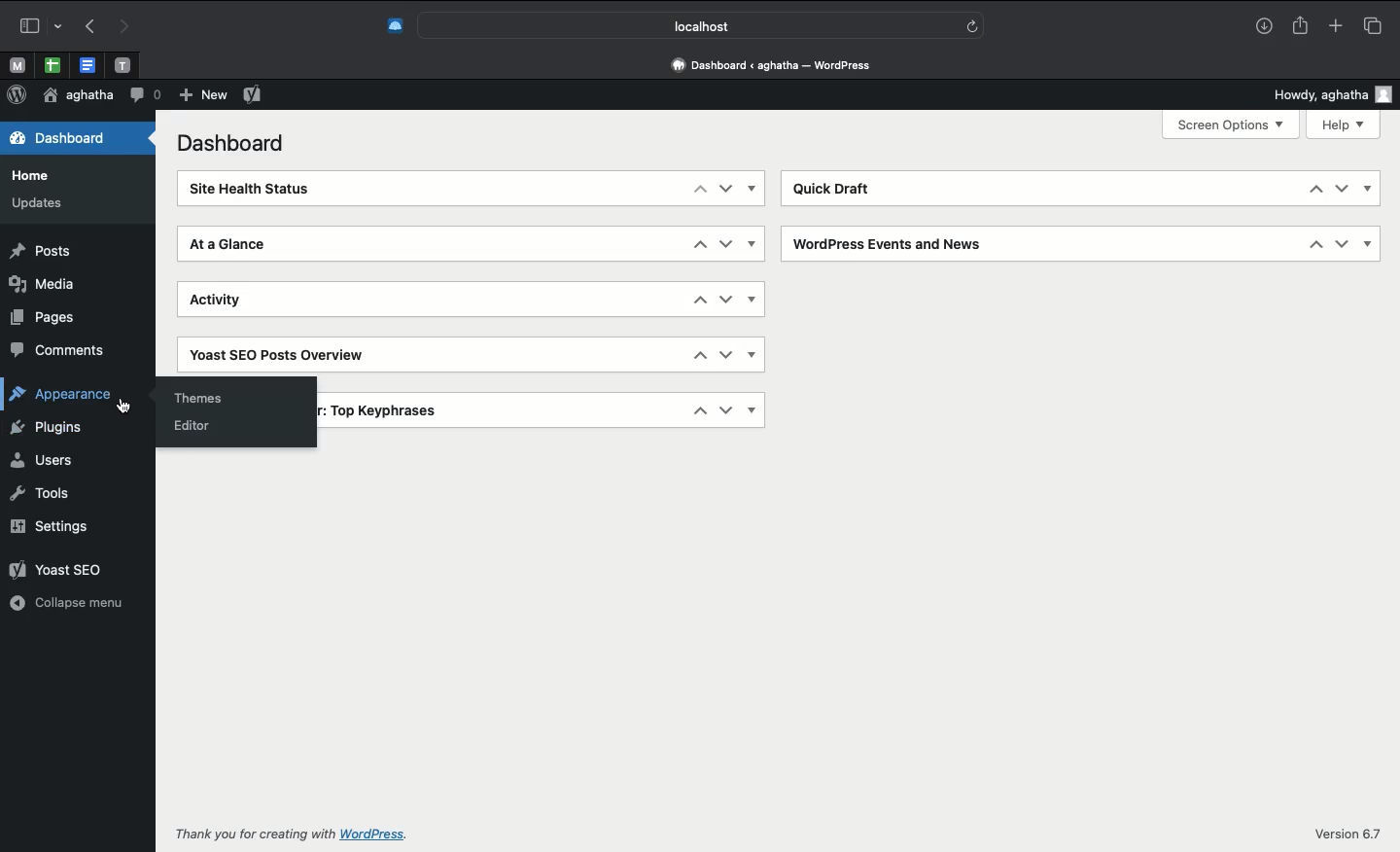 This screenshot has width=1400, height=852. What do you see at coordinates (699, 410) in the screenshot?
I see `Up` at bounding box center [699, 410].